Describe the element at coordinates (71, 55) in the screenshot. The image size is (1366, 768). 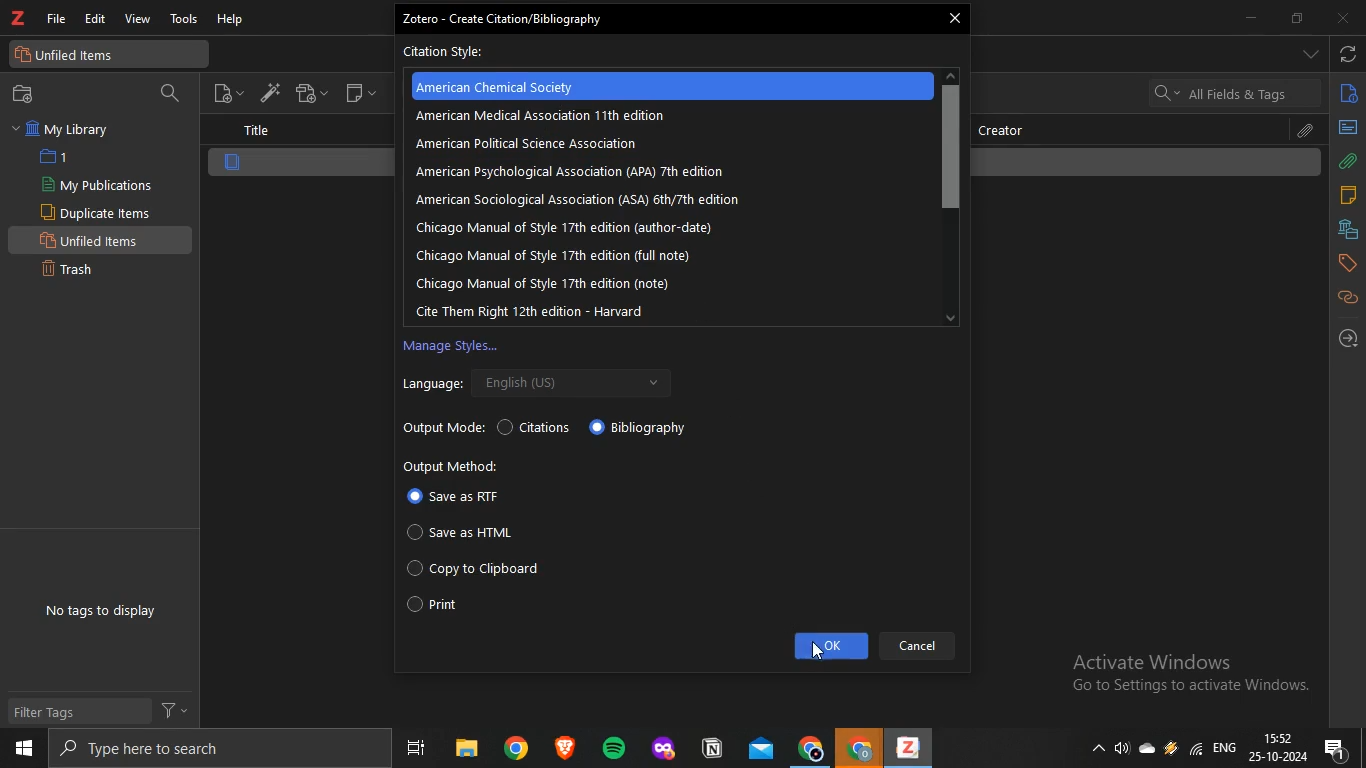
I see `unfiled items` at that location.